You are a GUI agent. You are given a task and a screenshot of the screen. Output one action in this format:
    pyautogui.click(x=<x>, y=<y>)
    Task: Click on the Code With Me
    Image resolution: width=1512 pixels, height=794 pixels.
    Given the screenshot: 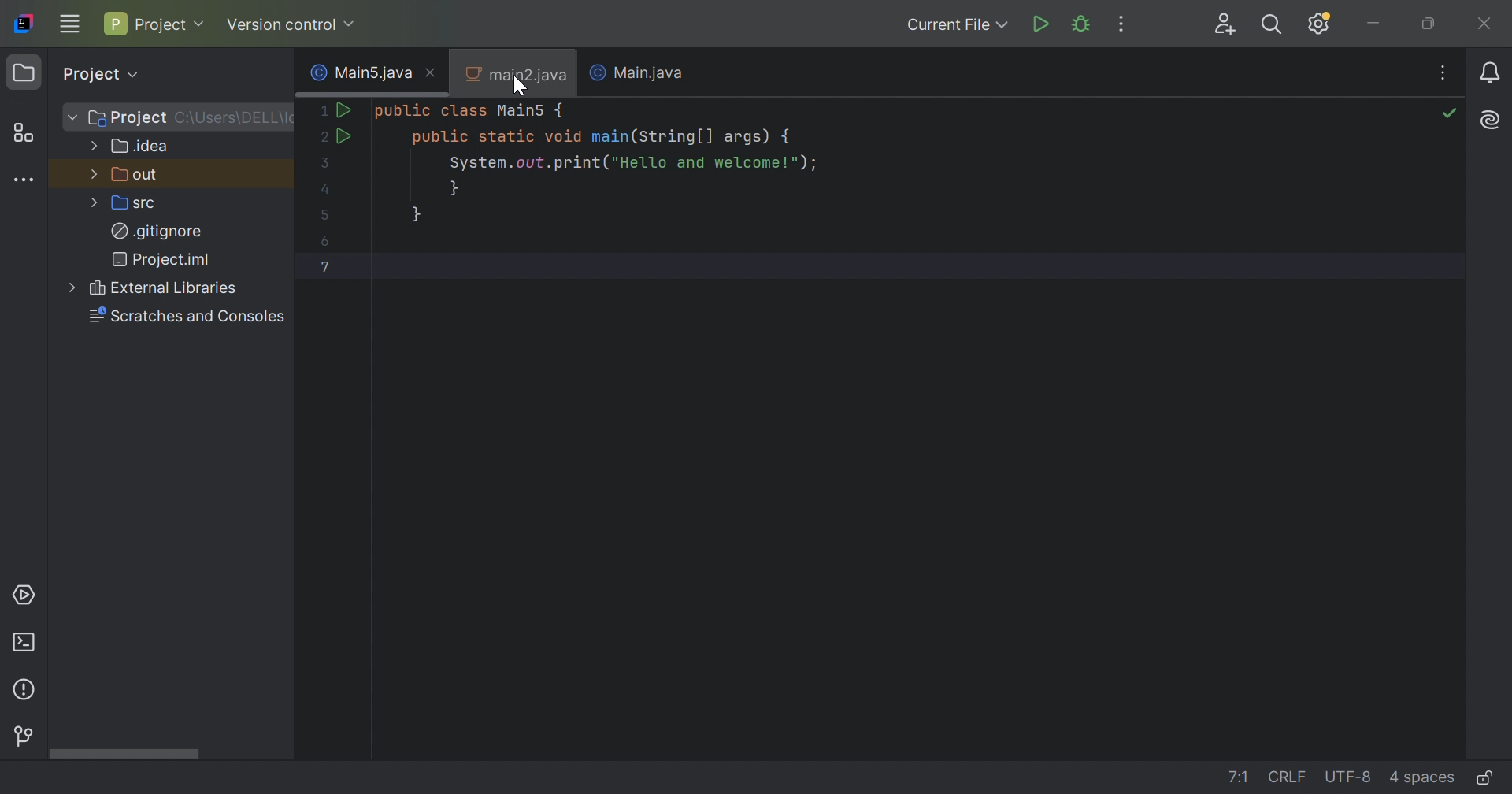 What is the action you would take?
    pyautogui.click(x=1224, y=24)
    